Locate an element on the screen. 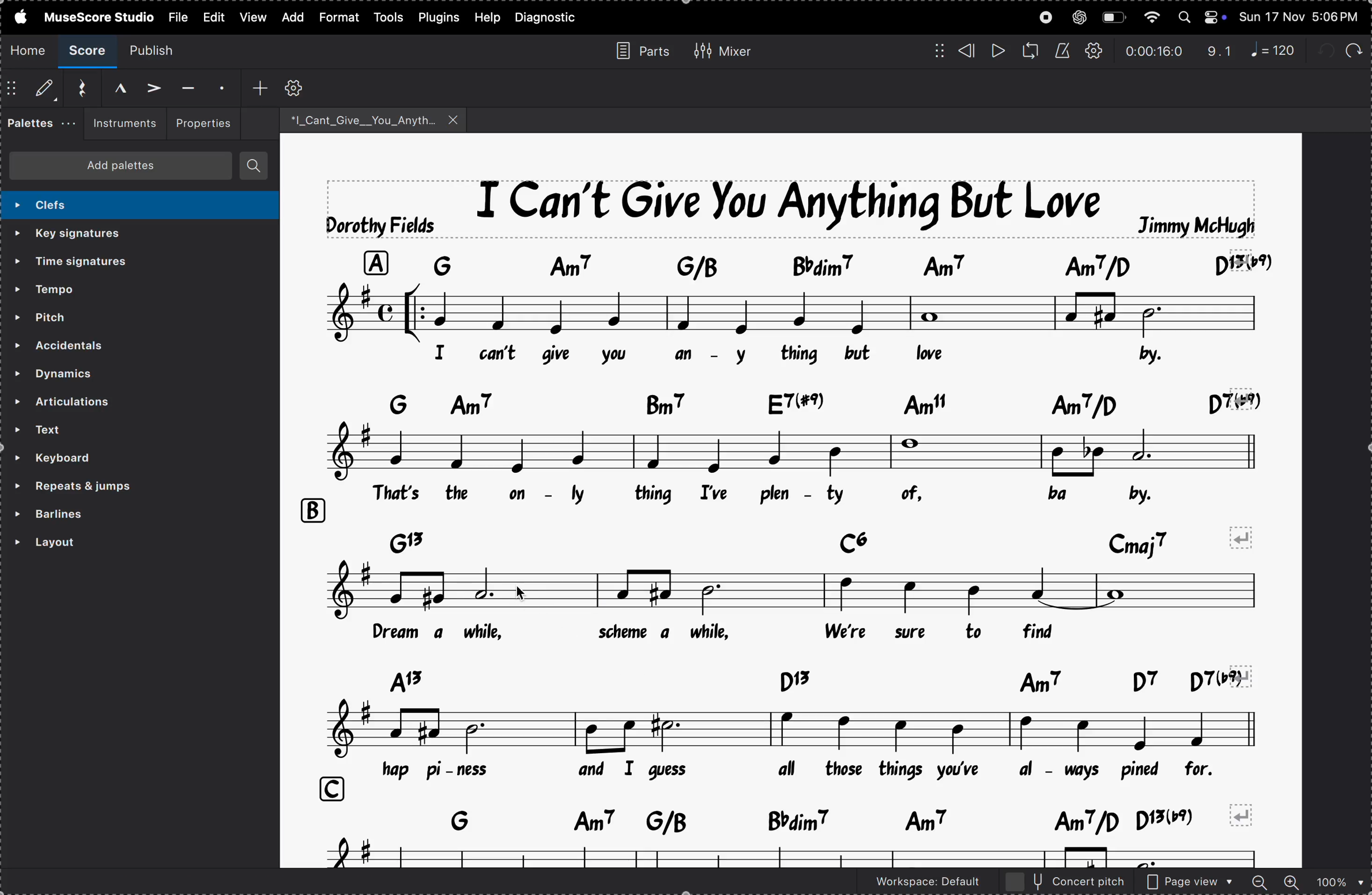 The image size is (1372, 895). chatgpt is located at coordinates (1079, 17).